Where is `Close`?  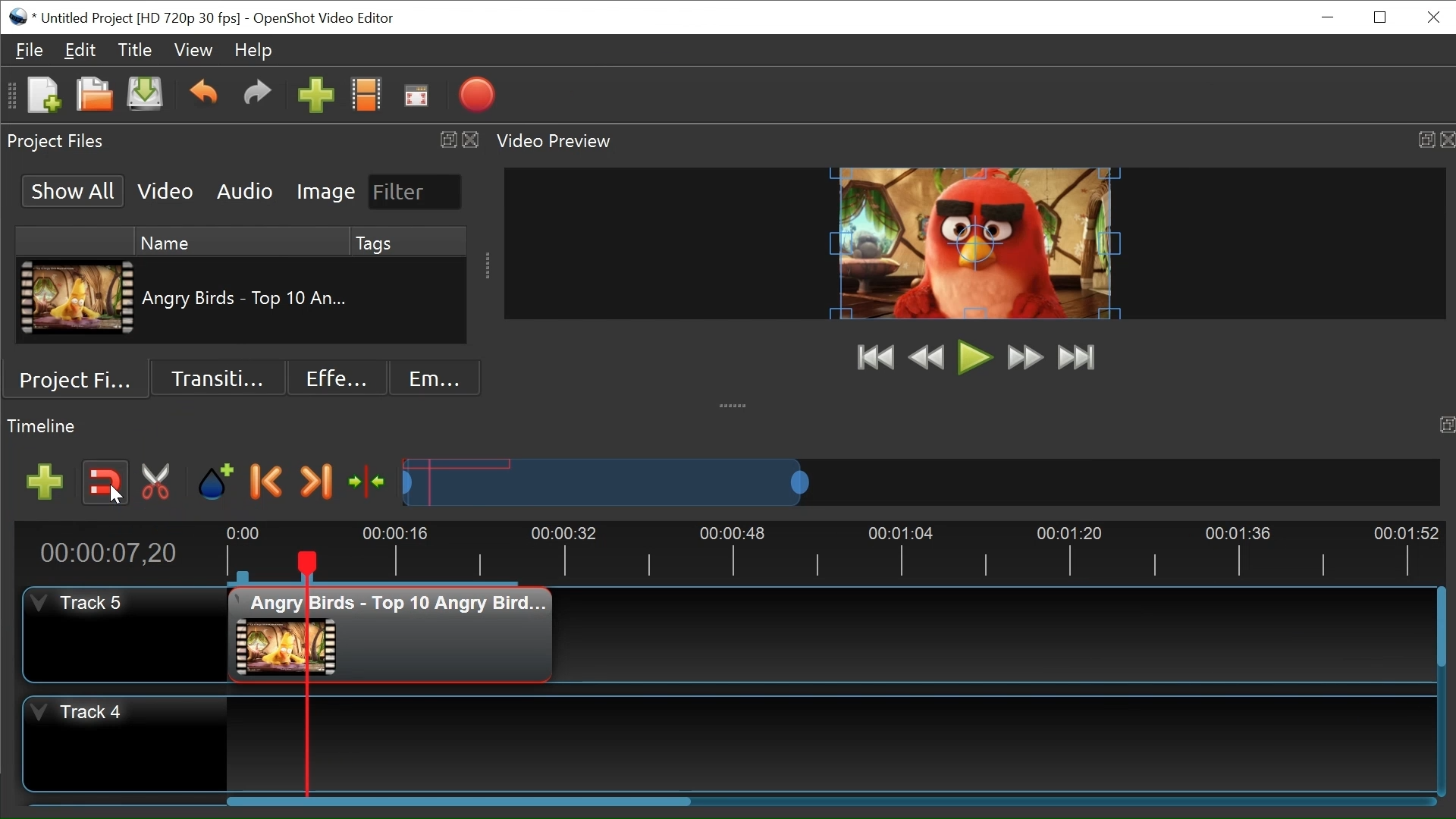 Close is located at coordinates (1381, 17).